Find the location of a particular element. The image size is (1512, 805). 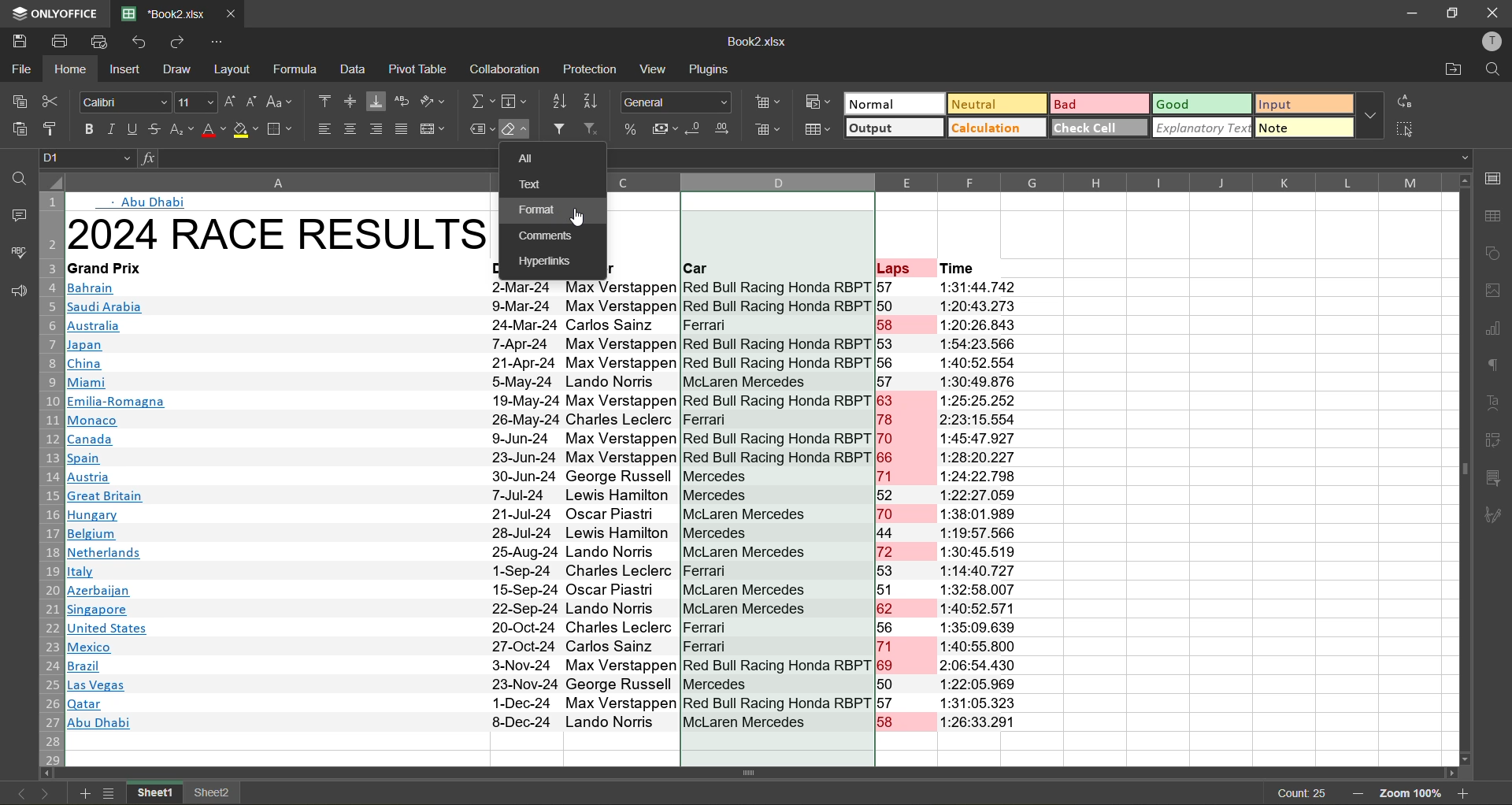

sort descending is located at coordinates (591, 102).